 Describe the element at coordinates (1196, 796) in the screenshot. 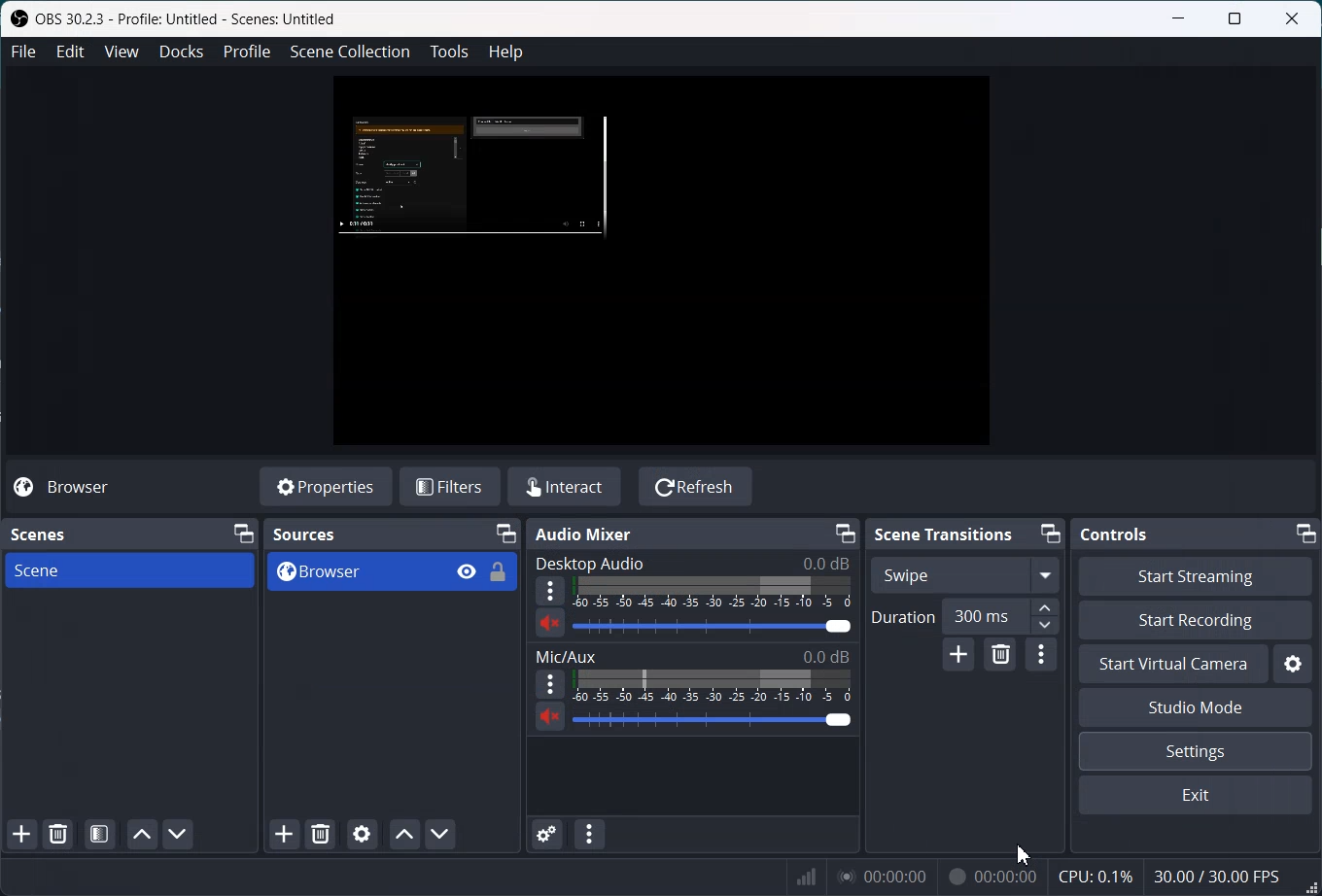

I see `Exit` at that location.